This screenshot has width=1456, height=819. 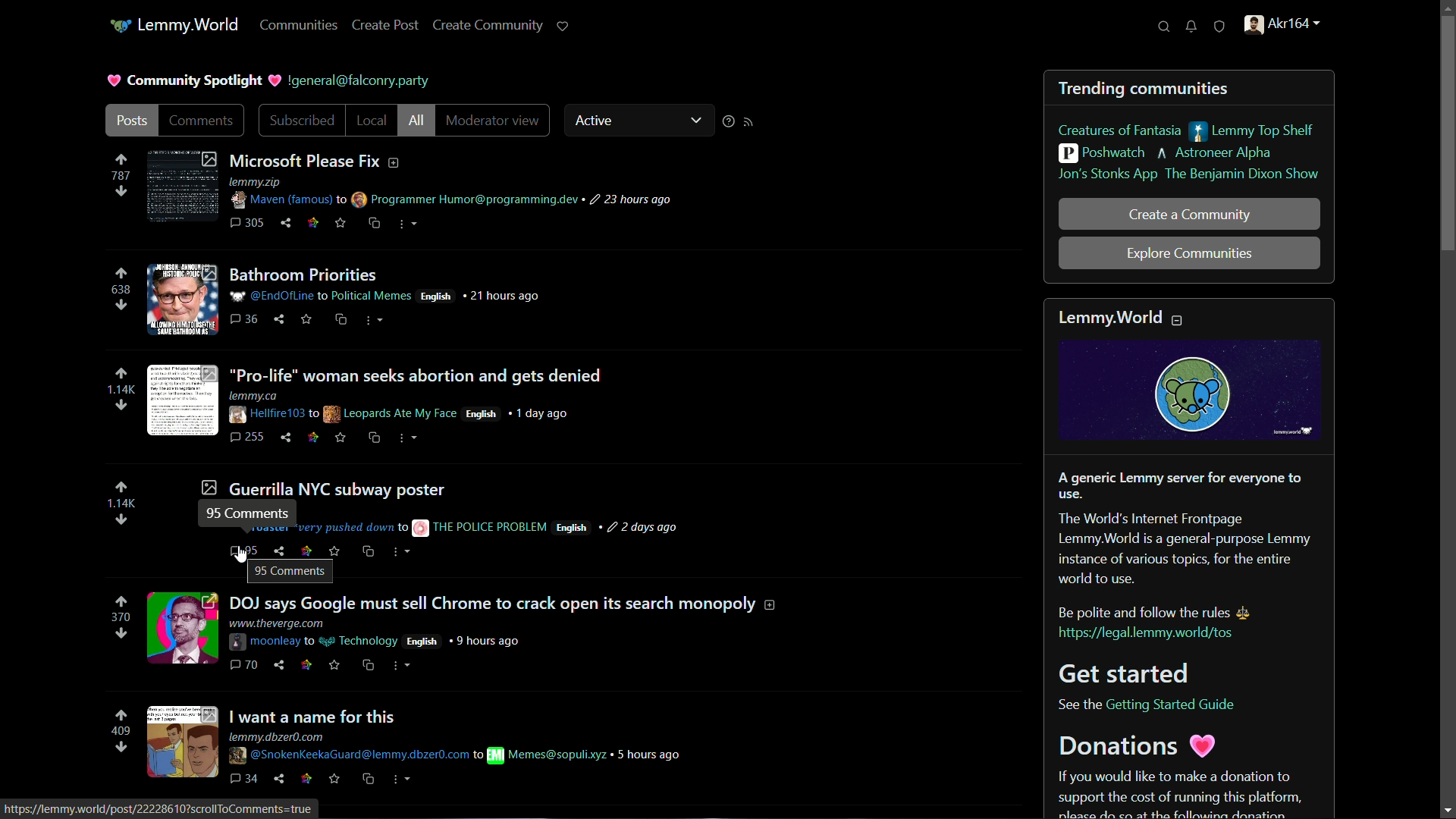 I want to click on explore communities, so click(x=1188, y=255).